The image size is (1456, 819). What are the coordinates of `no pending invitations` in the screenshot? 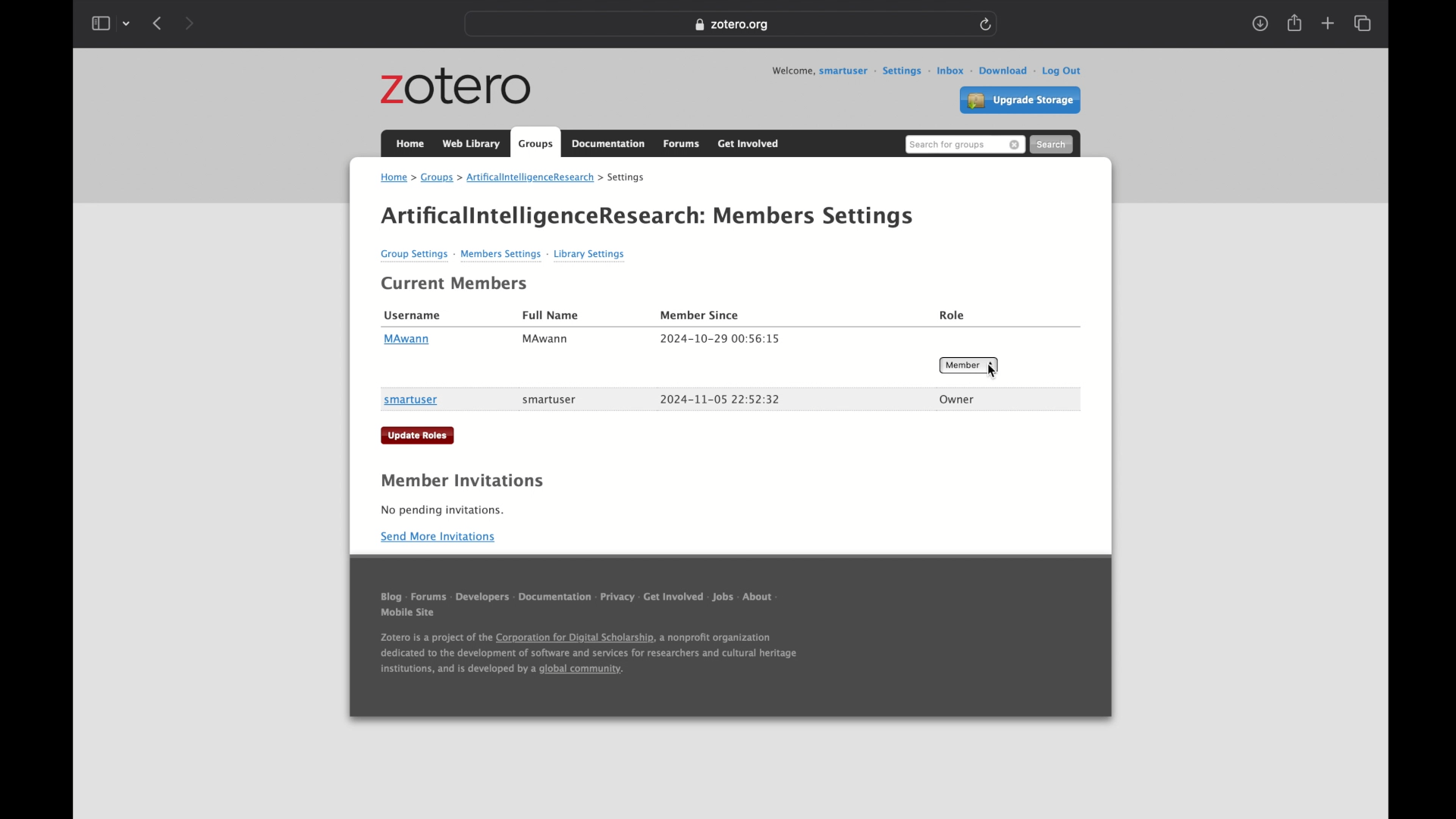 It's located at (442, 510).